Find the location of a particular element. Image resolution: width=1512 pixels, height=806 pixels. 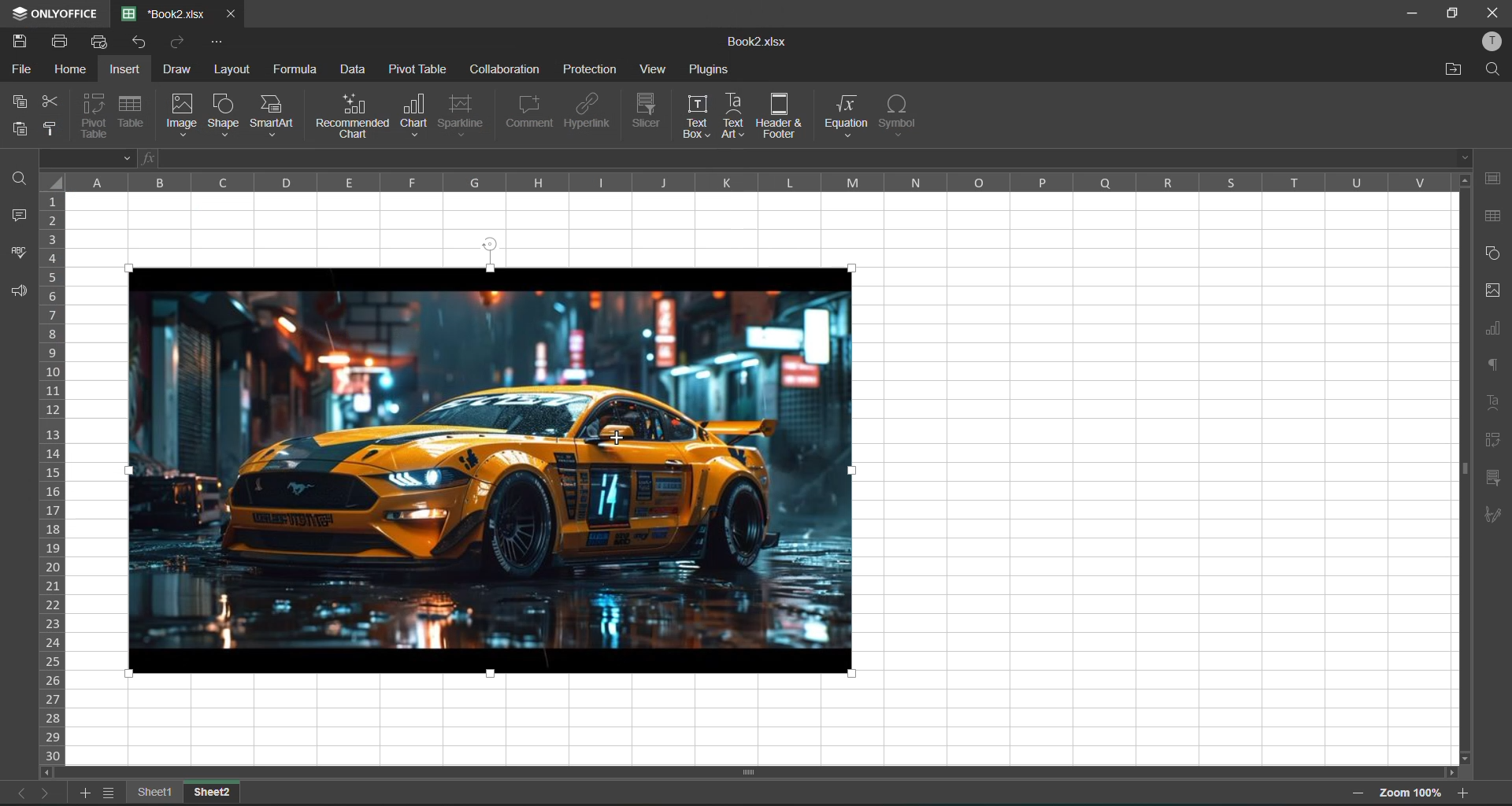

paragraph is located at coordinates (1496, 370).